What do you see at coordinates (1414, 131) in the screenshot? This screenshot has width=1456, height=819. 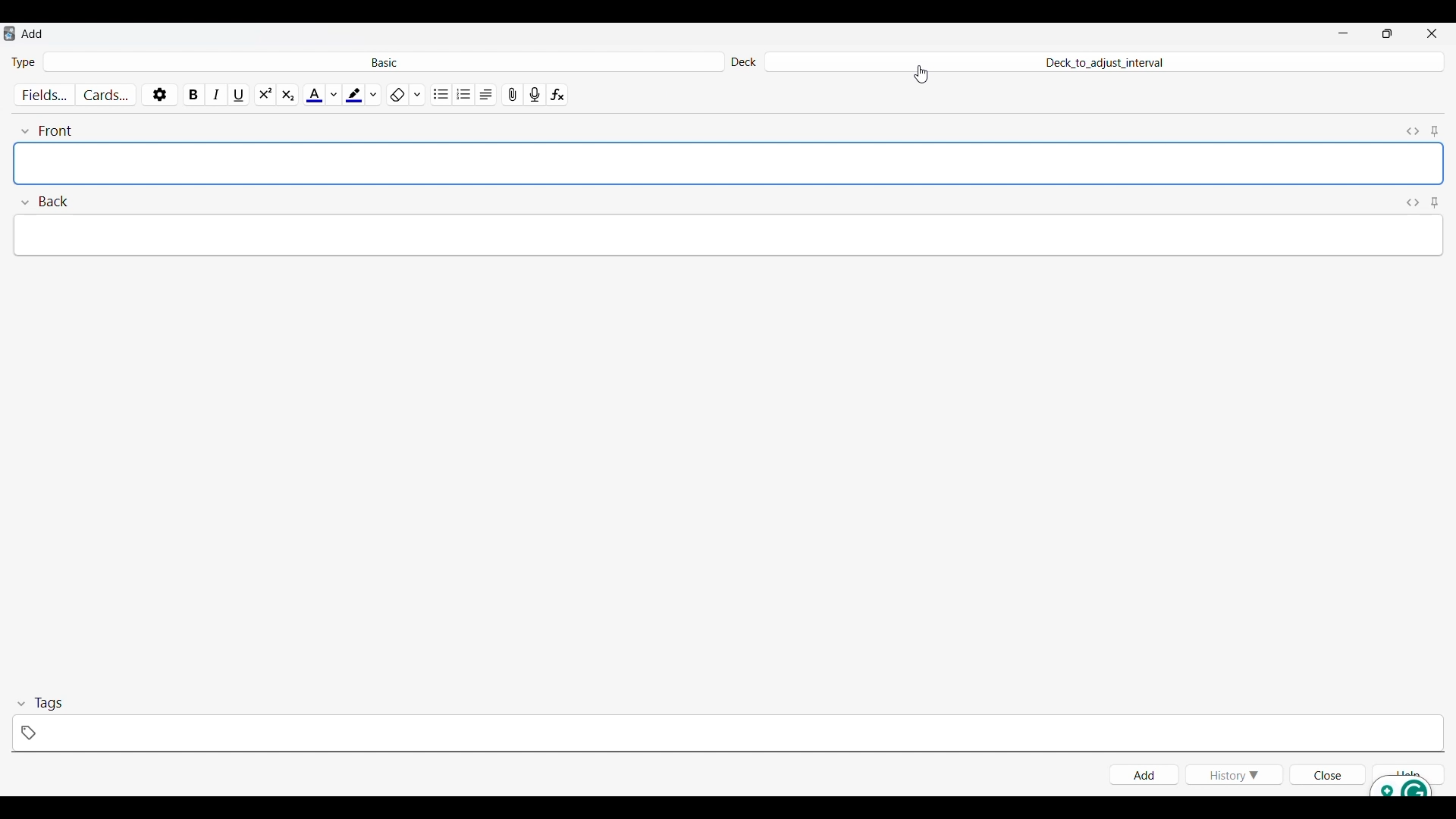 I see `Toggle HTML editor` at bounding box center [1414, 131].